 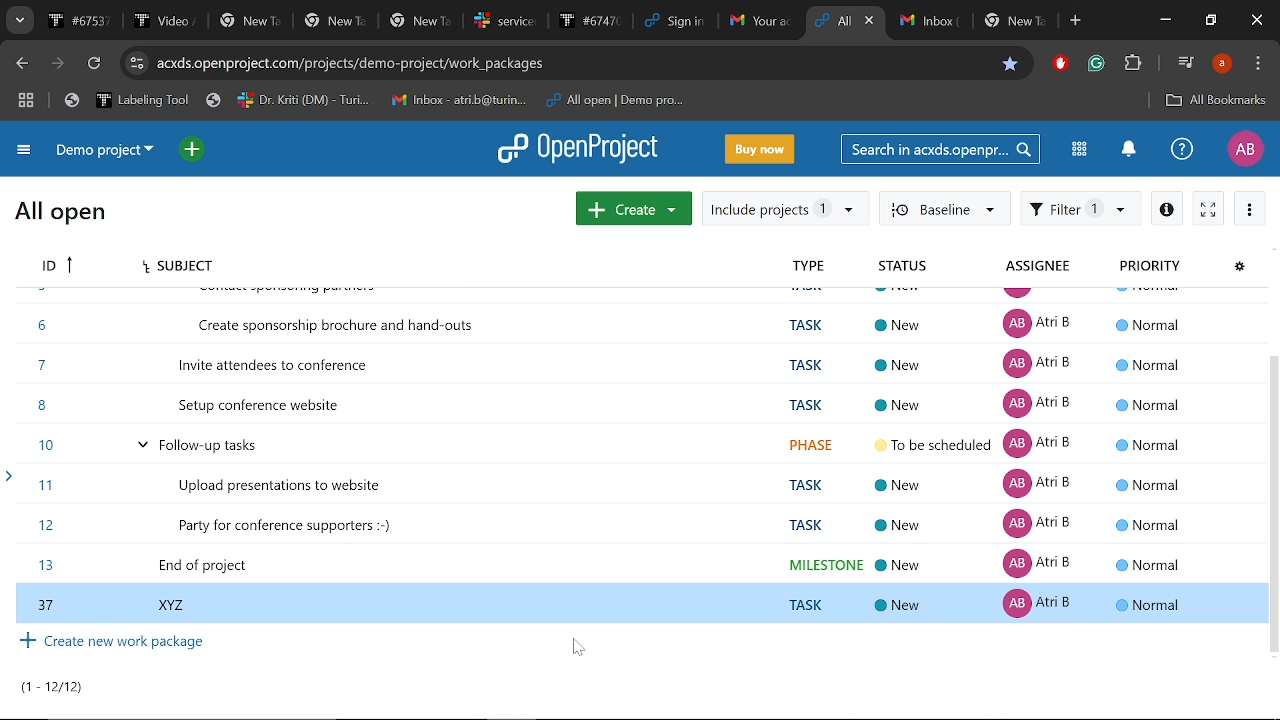 What do you see at coordinates (1078, 151) in the screenshot?
I see `Modules` at bounding box center [1078, 151].